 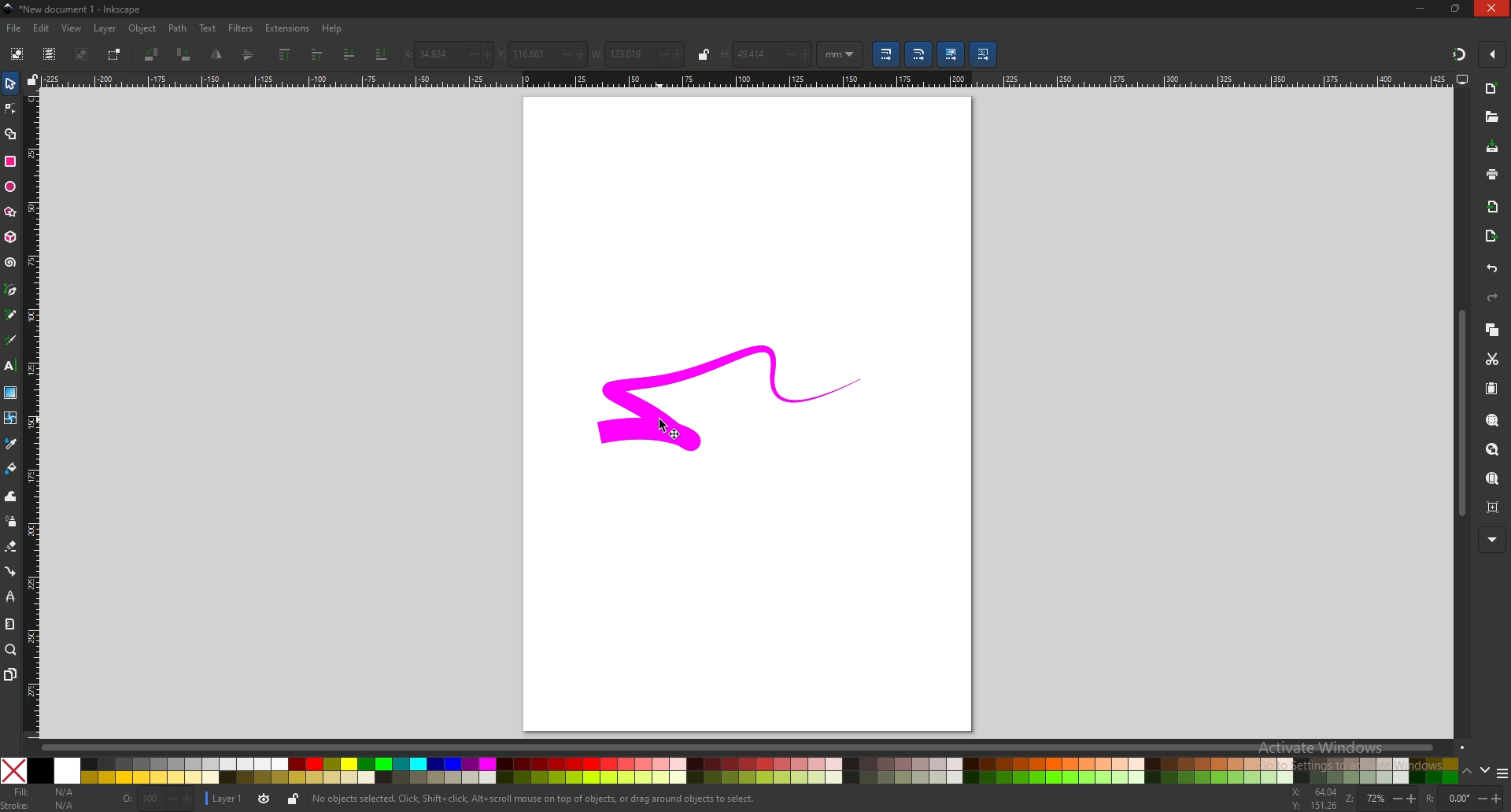 I want to click on unit, so click(x=840, y=54).